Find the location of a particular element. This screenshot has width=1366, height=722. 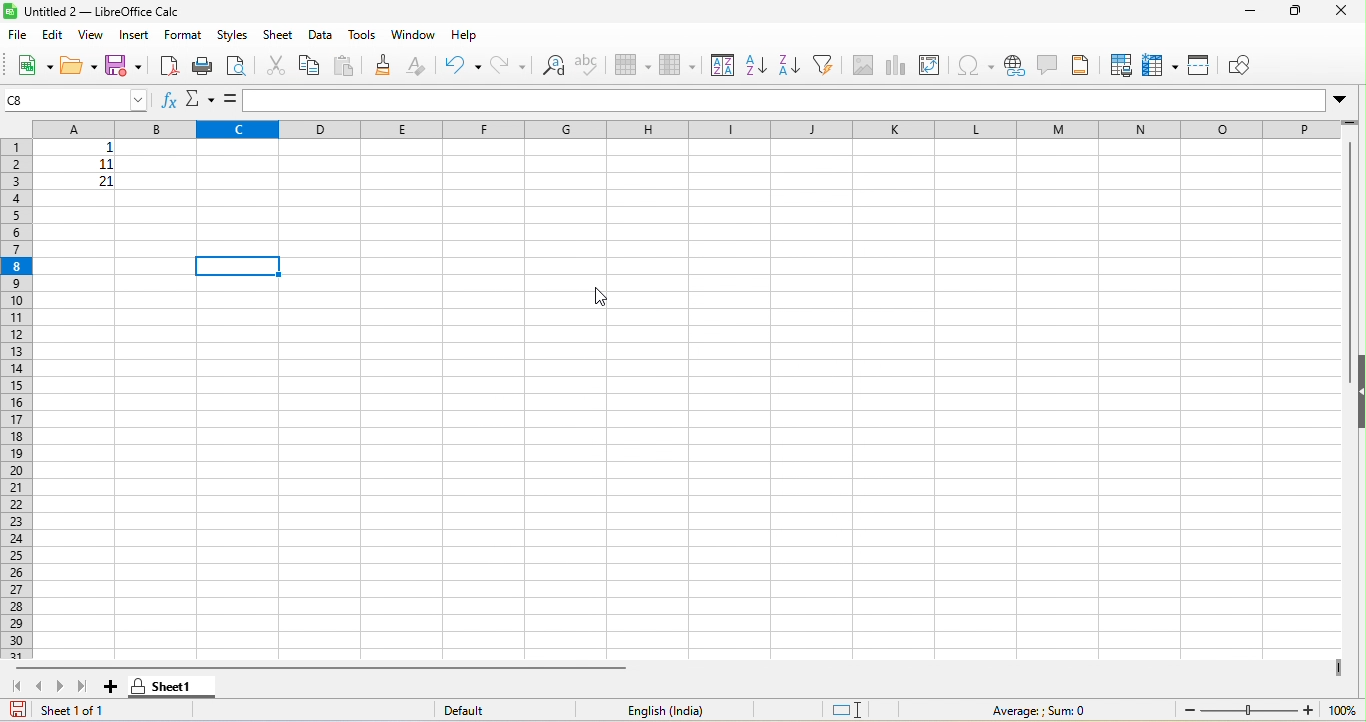

clone is located at coordinates (397, 65).